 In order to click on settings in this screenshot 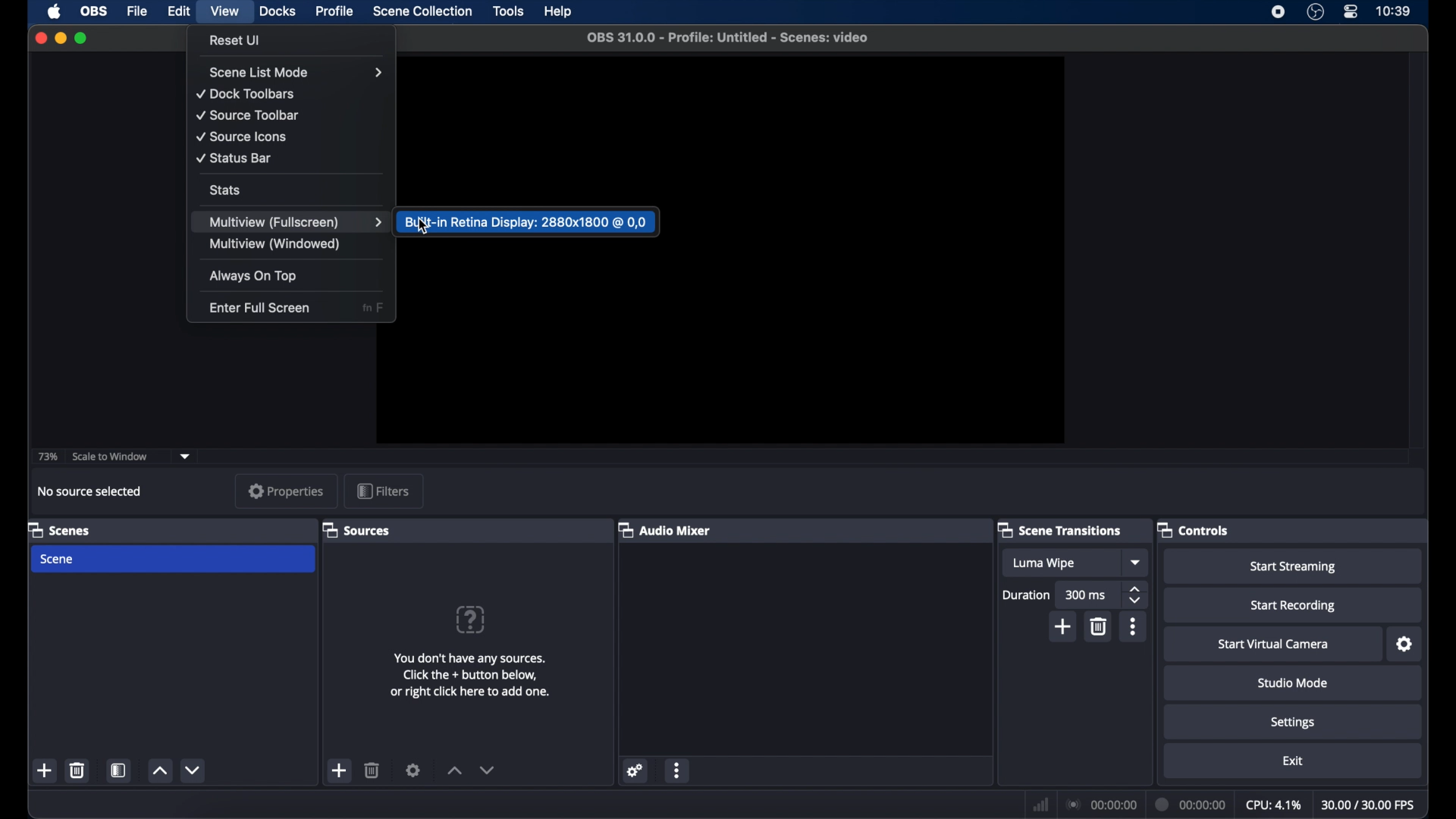, I will do `click(1404, 643)`.